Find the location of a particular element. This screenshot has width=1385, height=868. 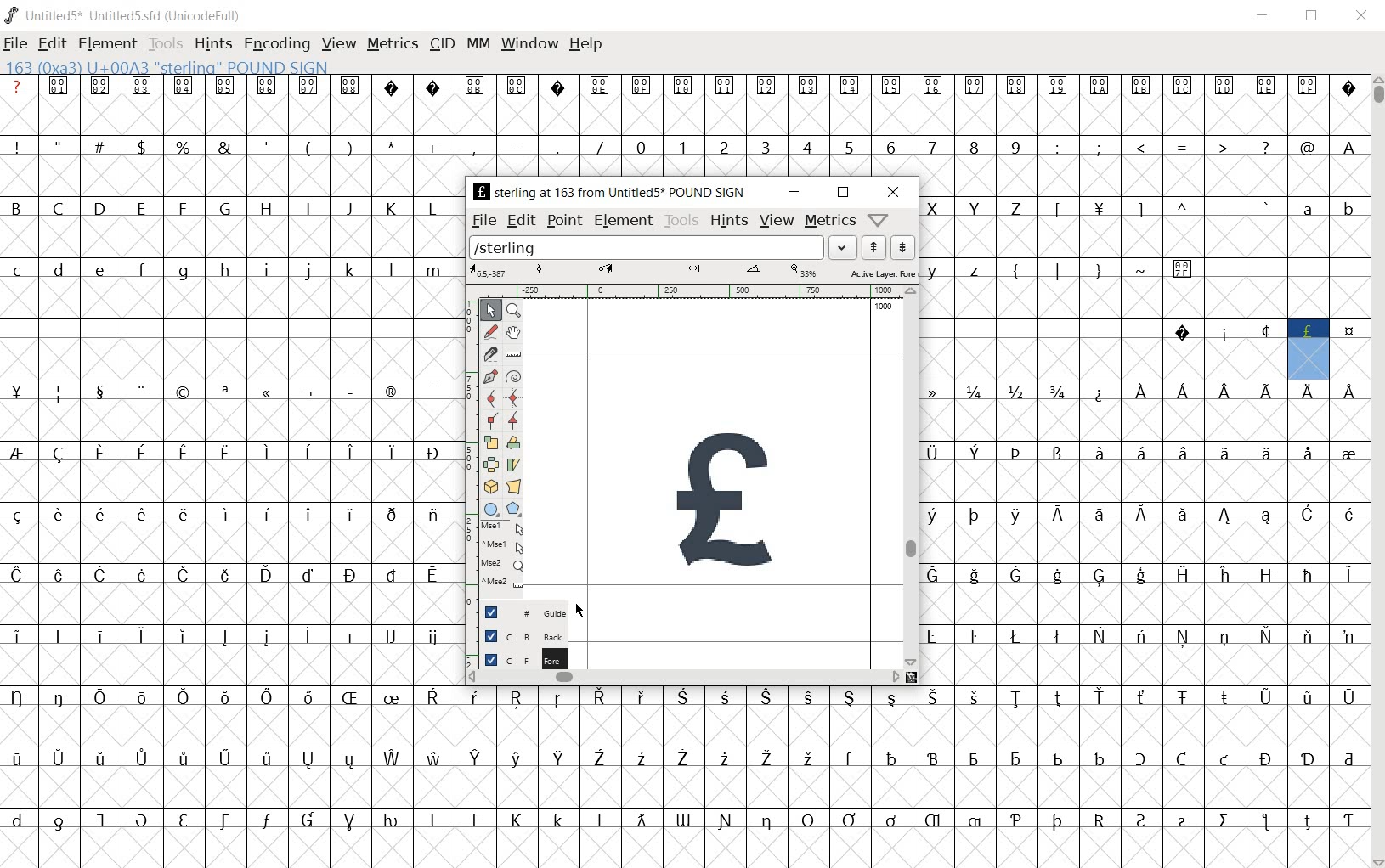

Symbol is located at coordinates (59, 454).